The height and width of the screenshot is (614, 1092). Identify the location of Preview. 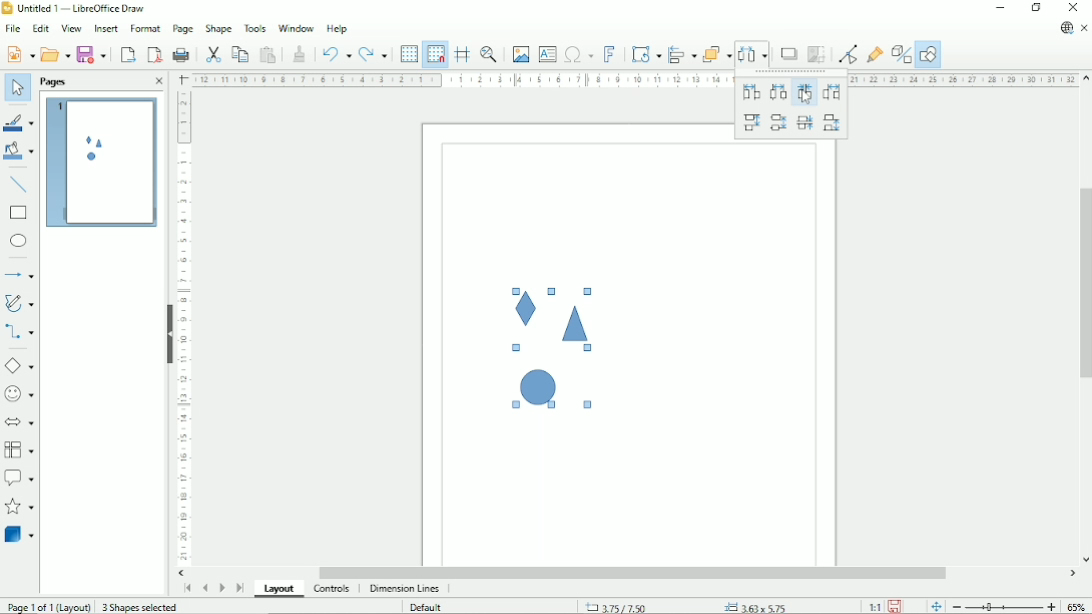
(99, 163).